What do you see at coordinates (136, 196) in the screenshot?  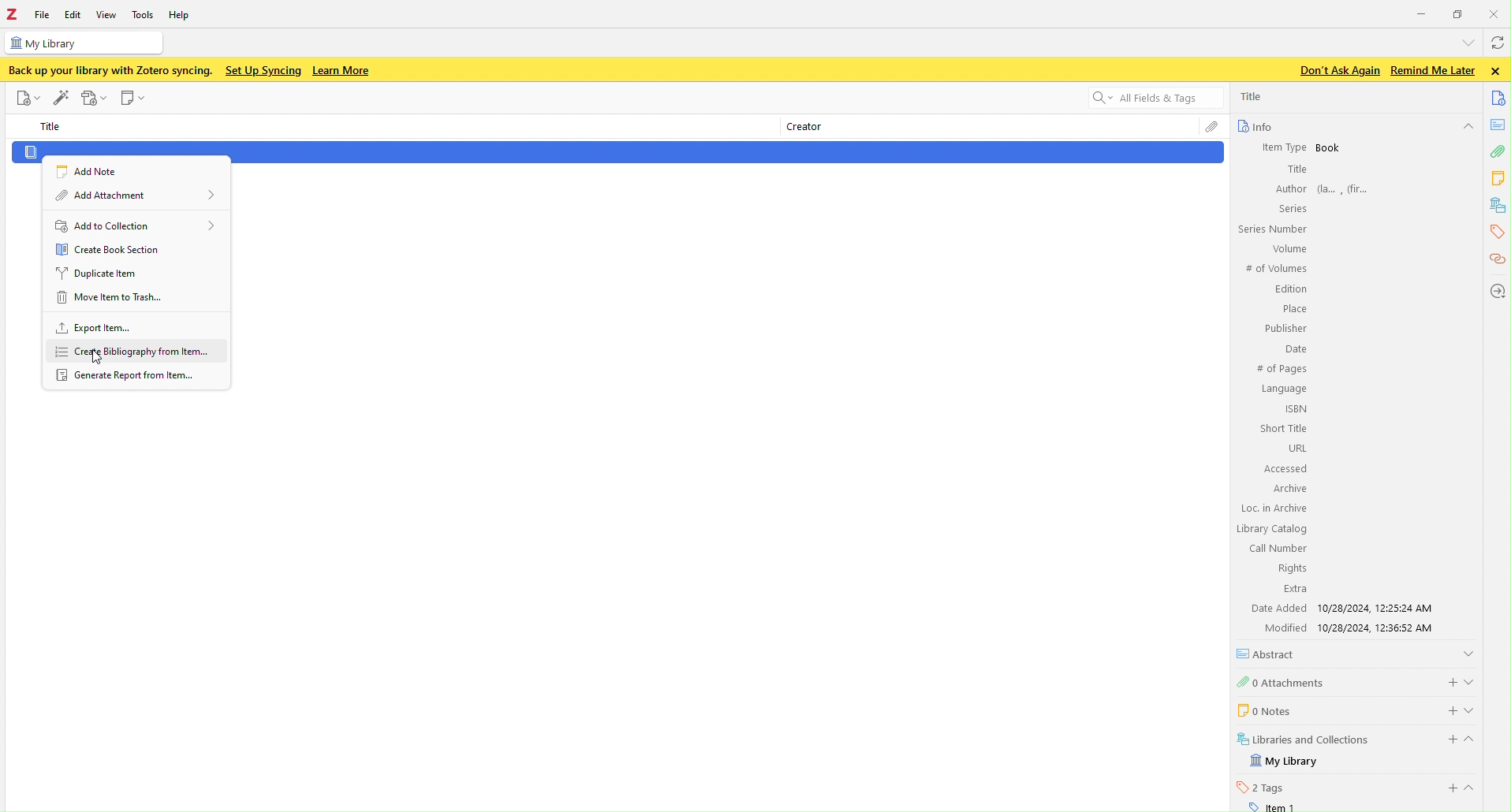 I see `add attchment` at bounding box center [136, 196].